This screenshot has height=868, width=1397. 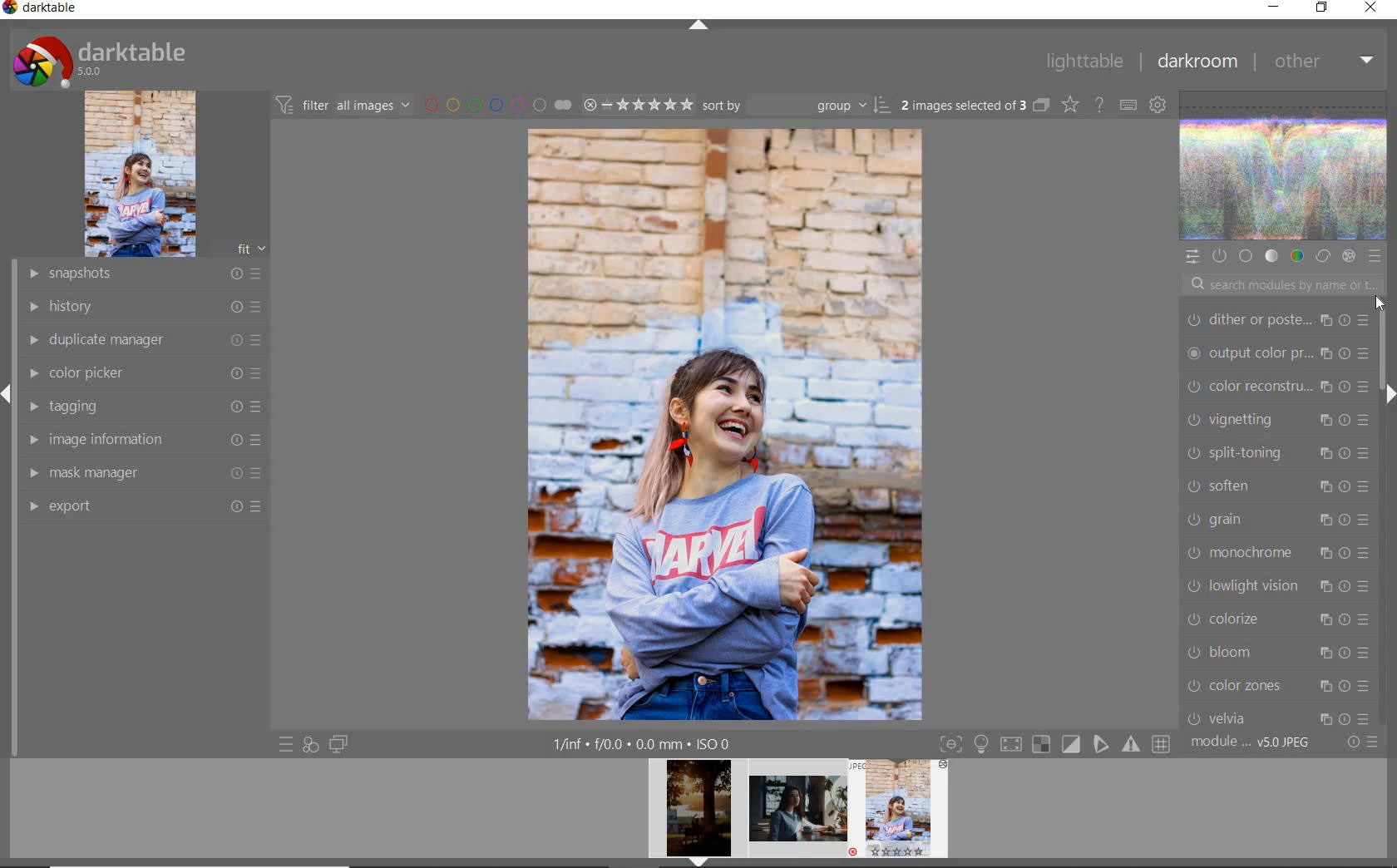 I want to click on image preview, so click(x=904, y=813).